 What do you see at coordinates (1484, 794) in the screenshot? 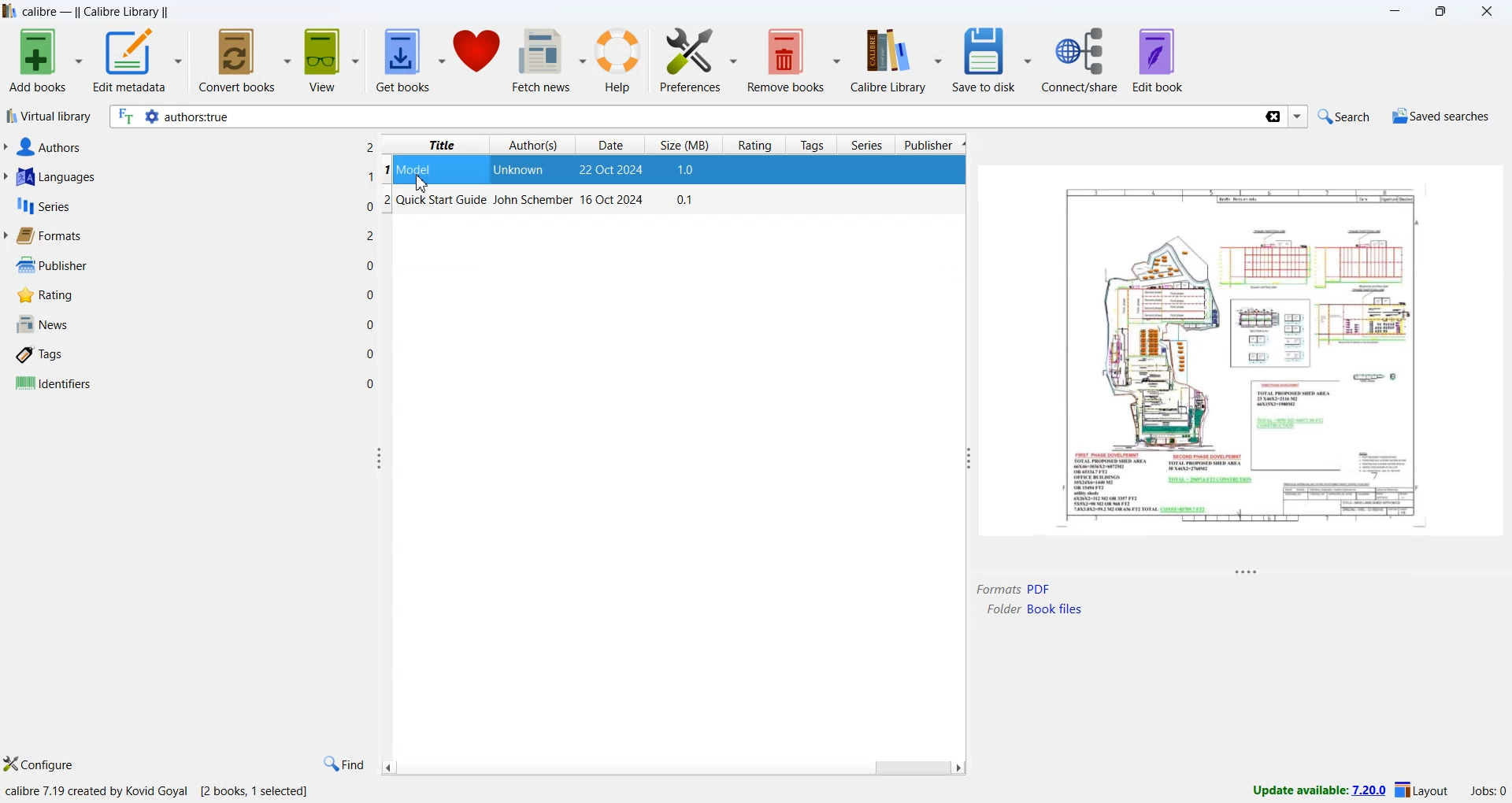
I see `jobs` at bounding box center [1484, 794].